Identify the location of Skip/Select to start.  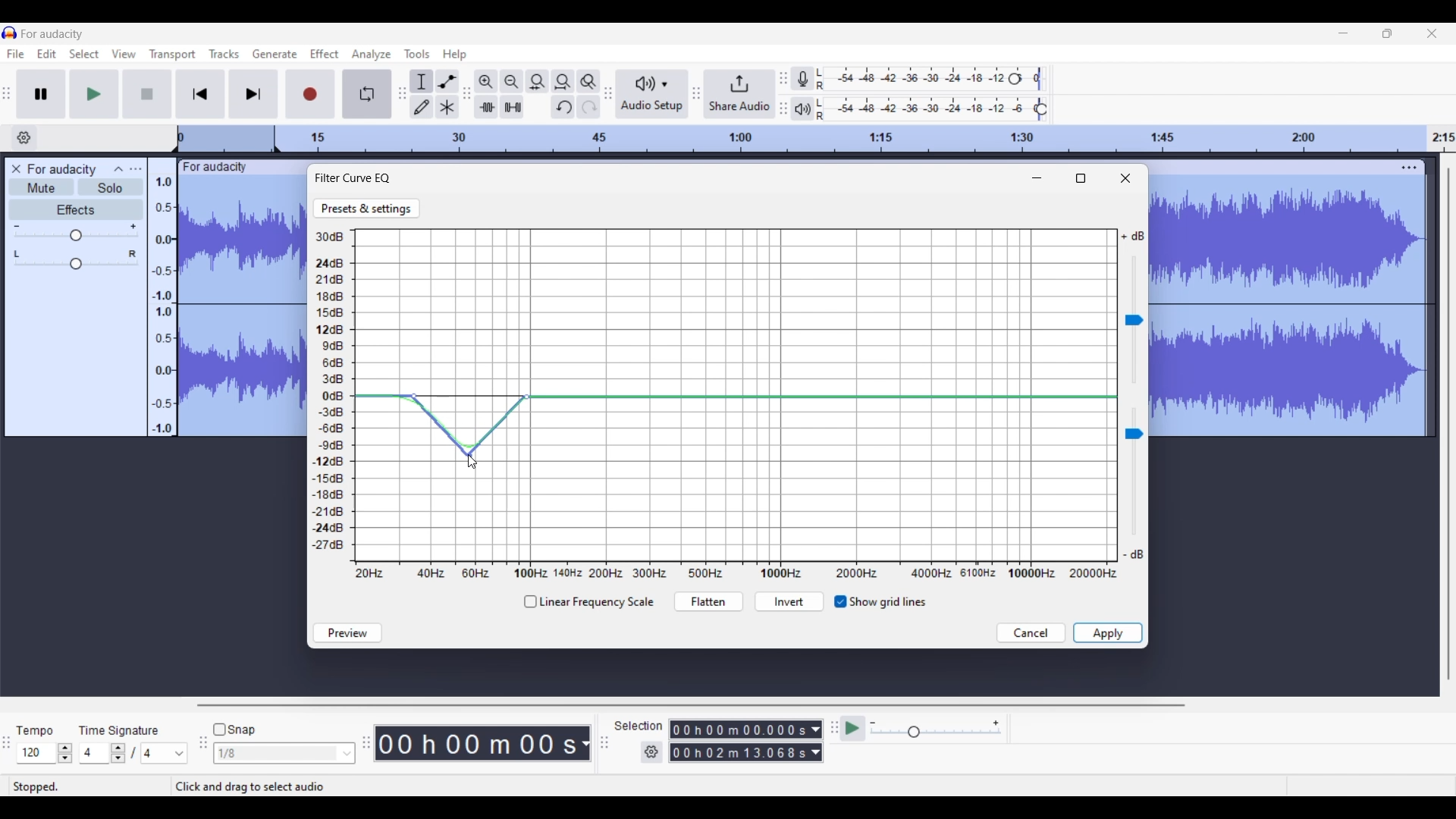
(200, 94).